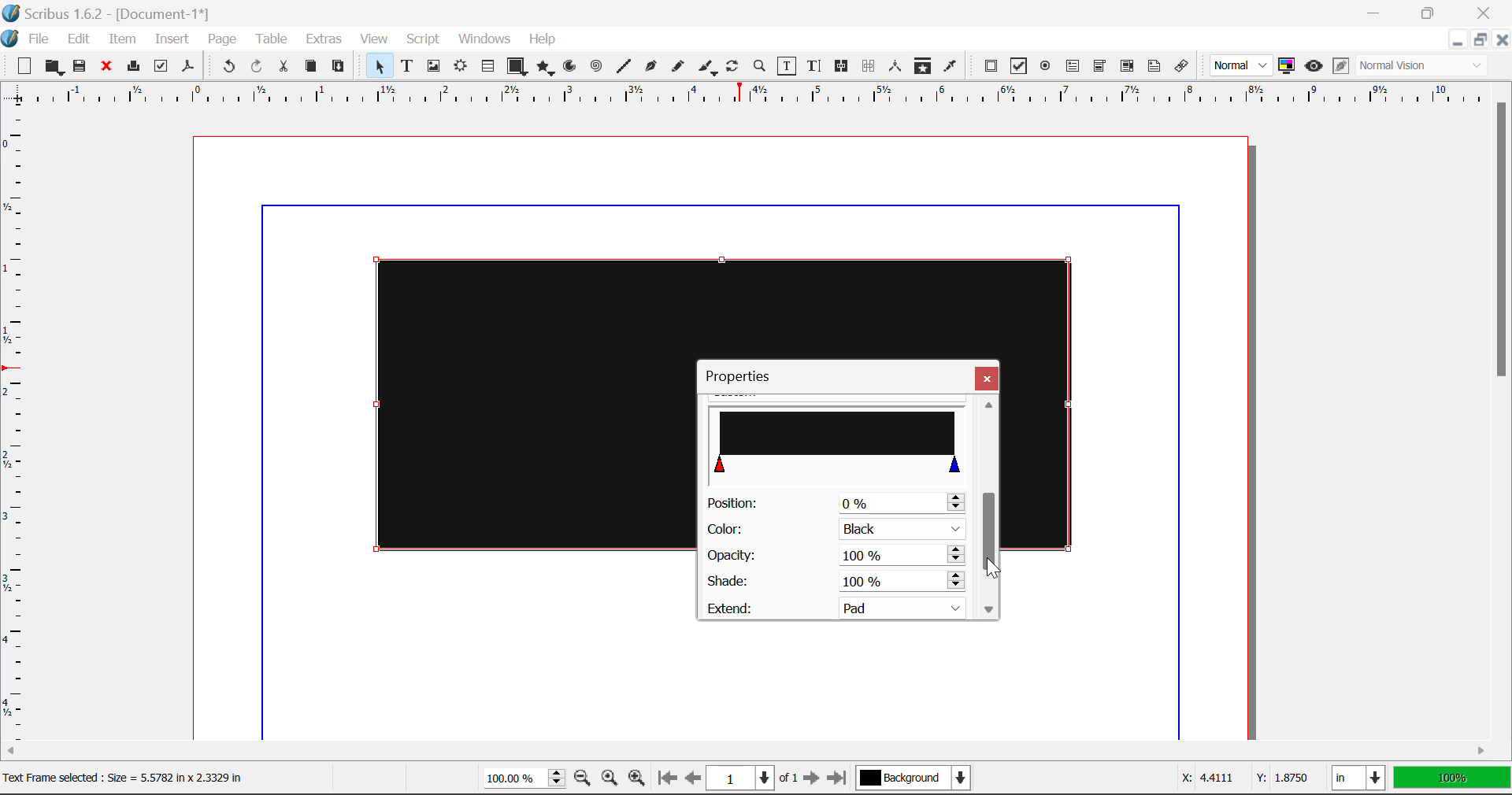  Describe the element at coordinates (374, 39) in the screenshot. I see `View` at that location.